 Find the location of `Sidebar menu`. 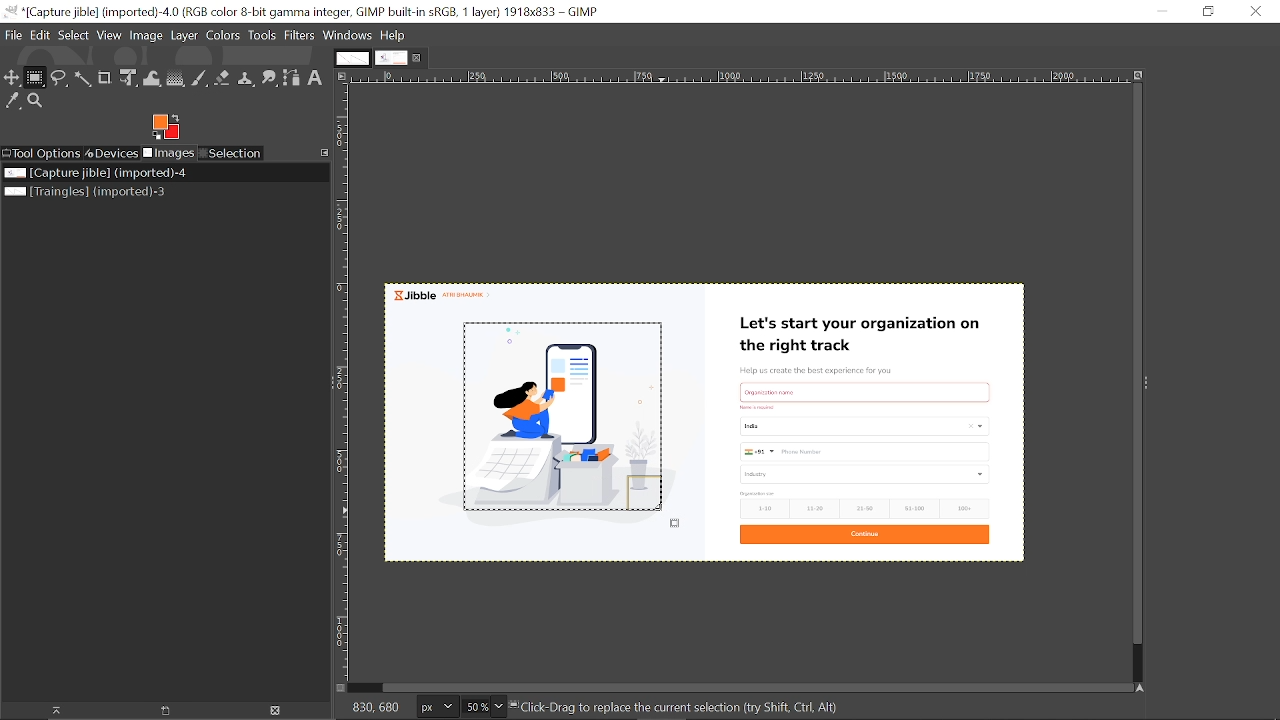

Sidebar menu is located at coordinates (327, 386).